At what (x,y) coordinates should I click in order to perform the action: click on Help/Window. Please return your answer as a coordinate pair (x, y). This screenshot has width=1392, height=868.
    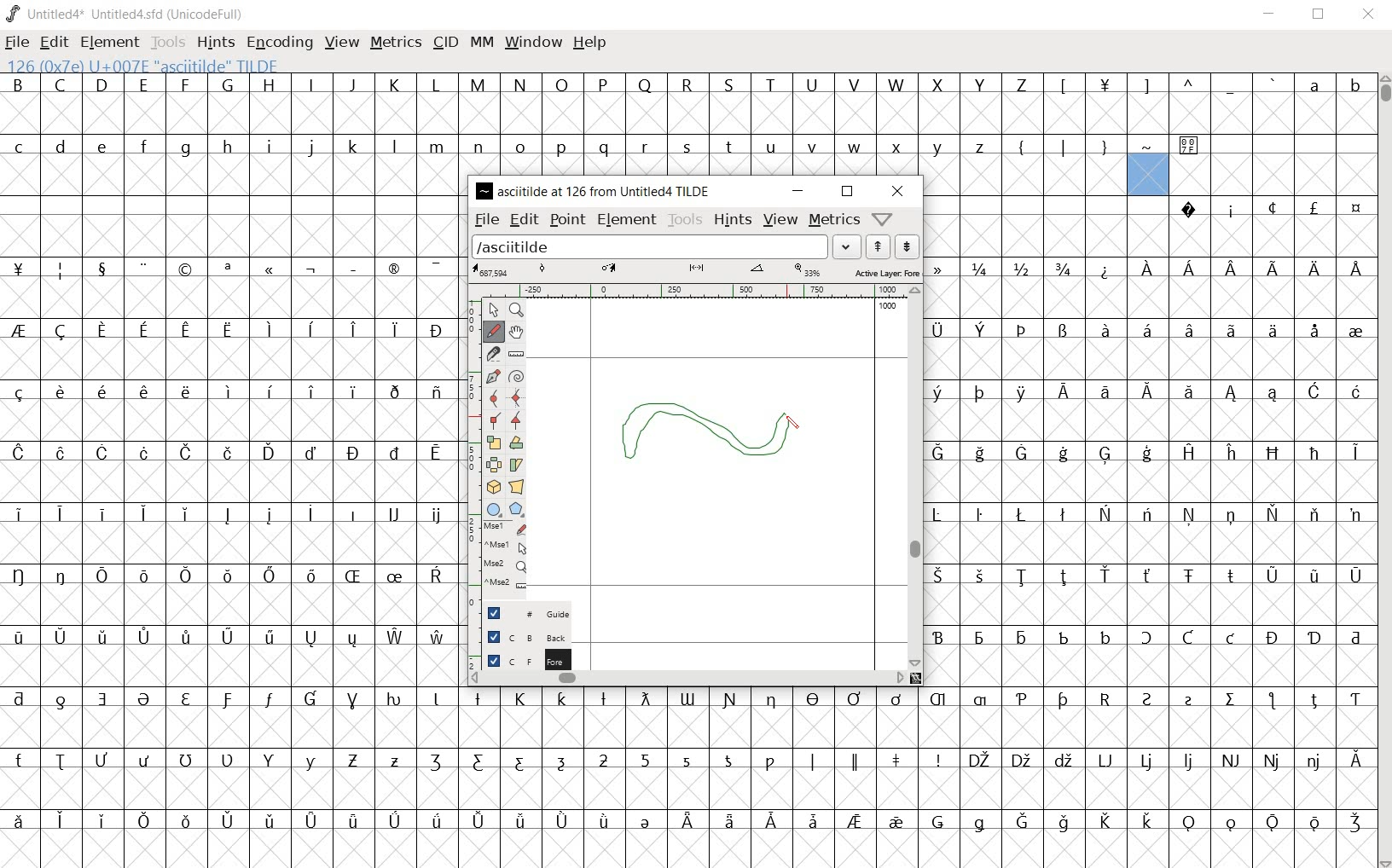
    Looking at the image, I should click on (884, 219).